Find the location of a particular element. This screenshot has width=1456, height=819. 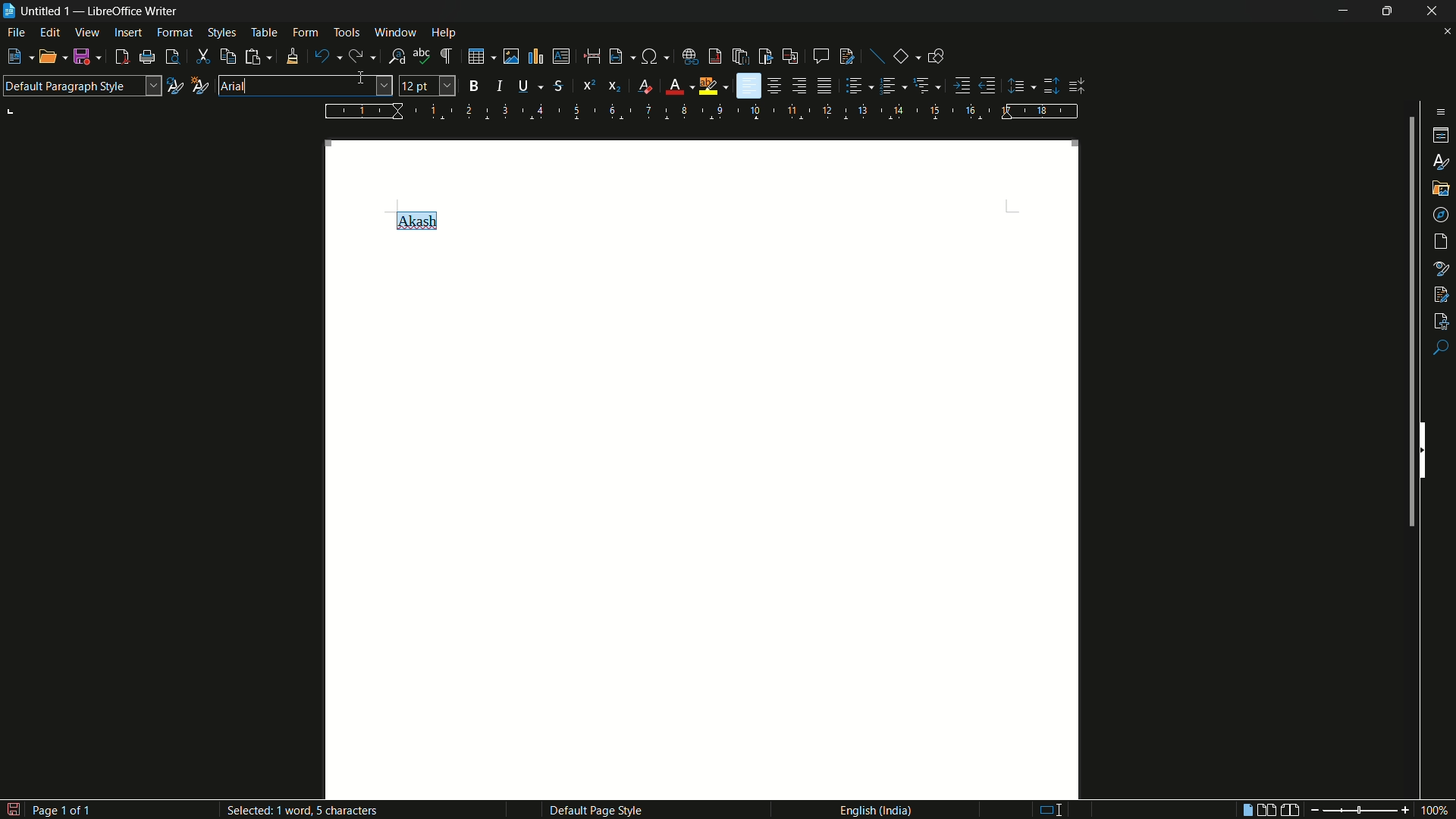

align center is located at coordinates (776, 86).